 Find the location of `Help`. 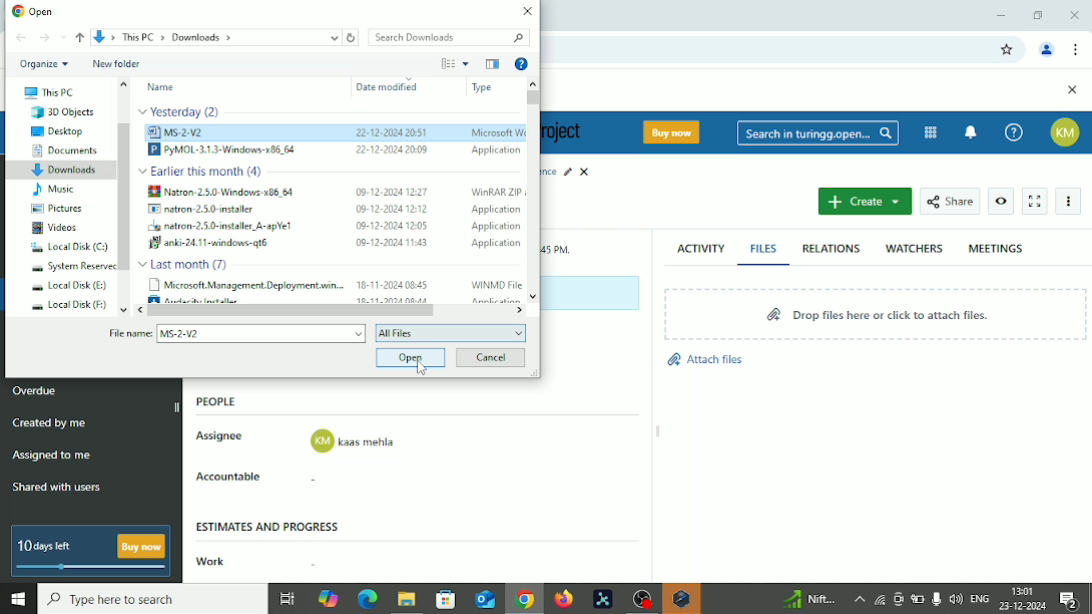

Help is located at coordinates (522, 63).